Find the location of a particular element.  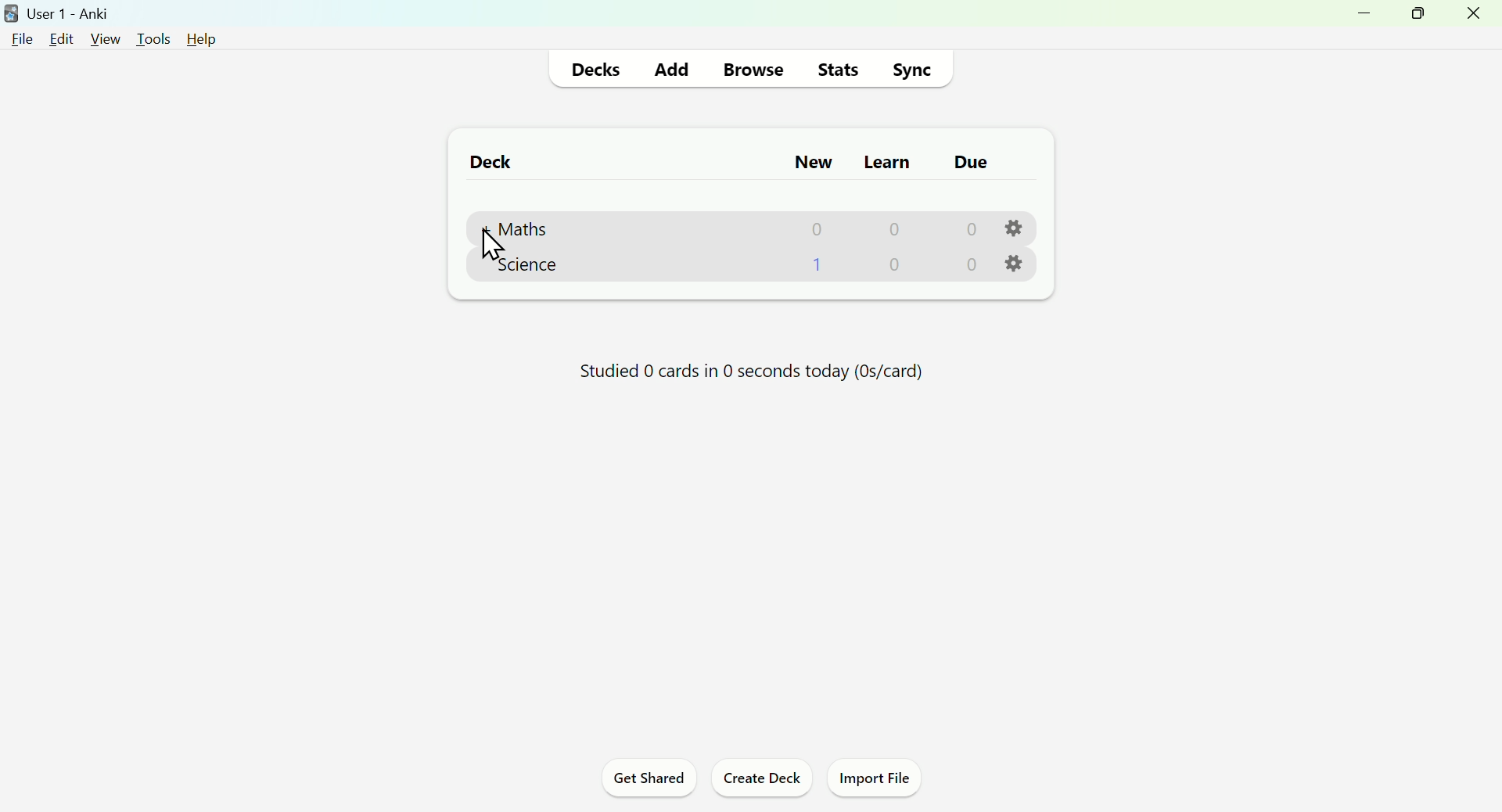

User 1 - Anki is located at coordinates (61, 12).